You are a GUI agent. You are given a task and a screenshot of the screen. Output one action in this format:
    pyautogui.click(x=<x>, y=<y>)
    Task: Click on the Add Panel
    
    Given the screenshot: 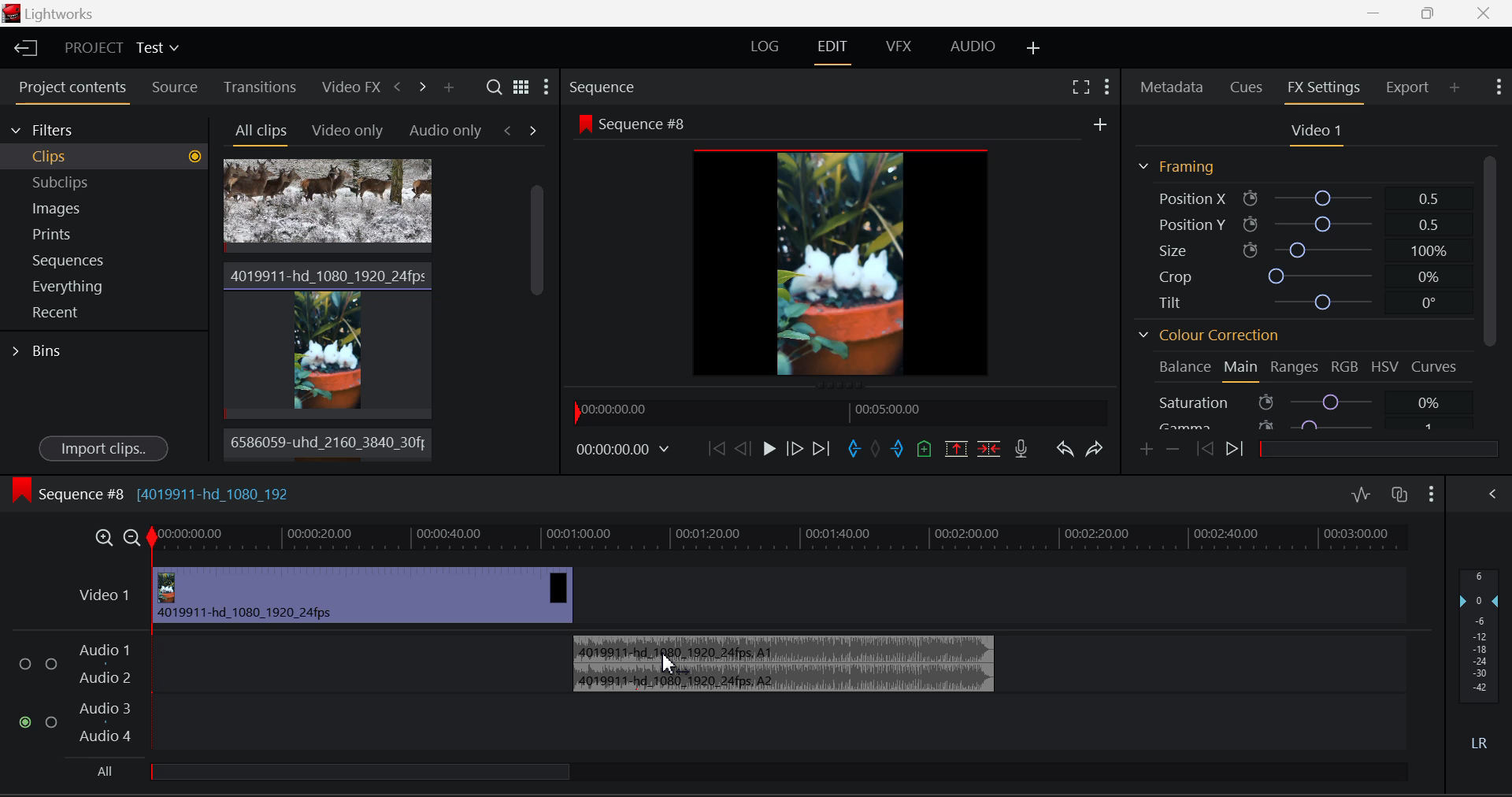 What is the action you would take?
    pyautogui.click(x=448, y=87)
    